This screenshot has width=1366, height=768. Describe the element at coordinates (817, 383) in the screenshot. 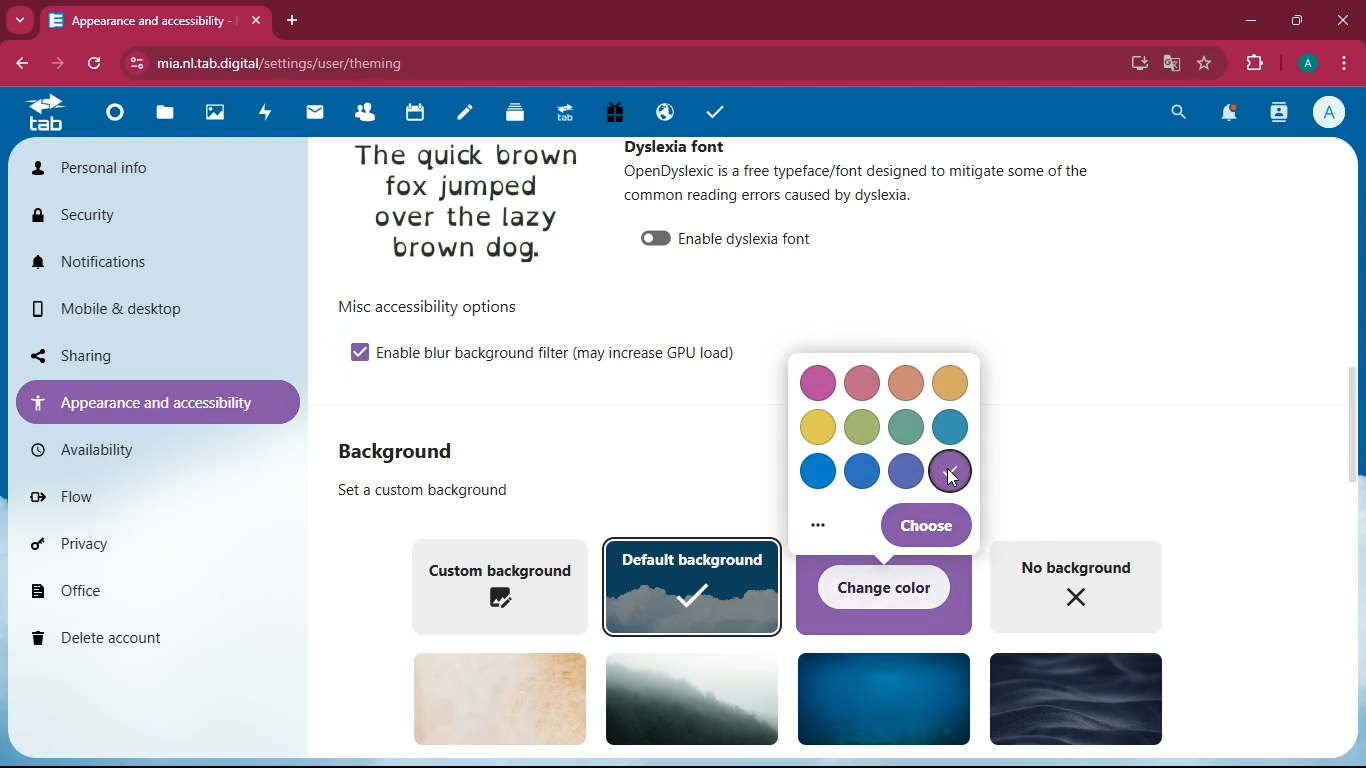

I see `color` at that location.